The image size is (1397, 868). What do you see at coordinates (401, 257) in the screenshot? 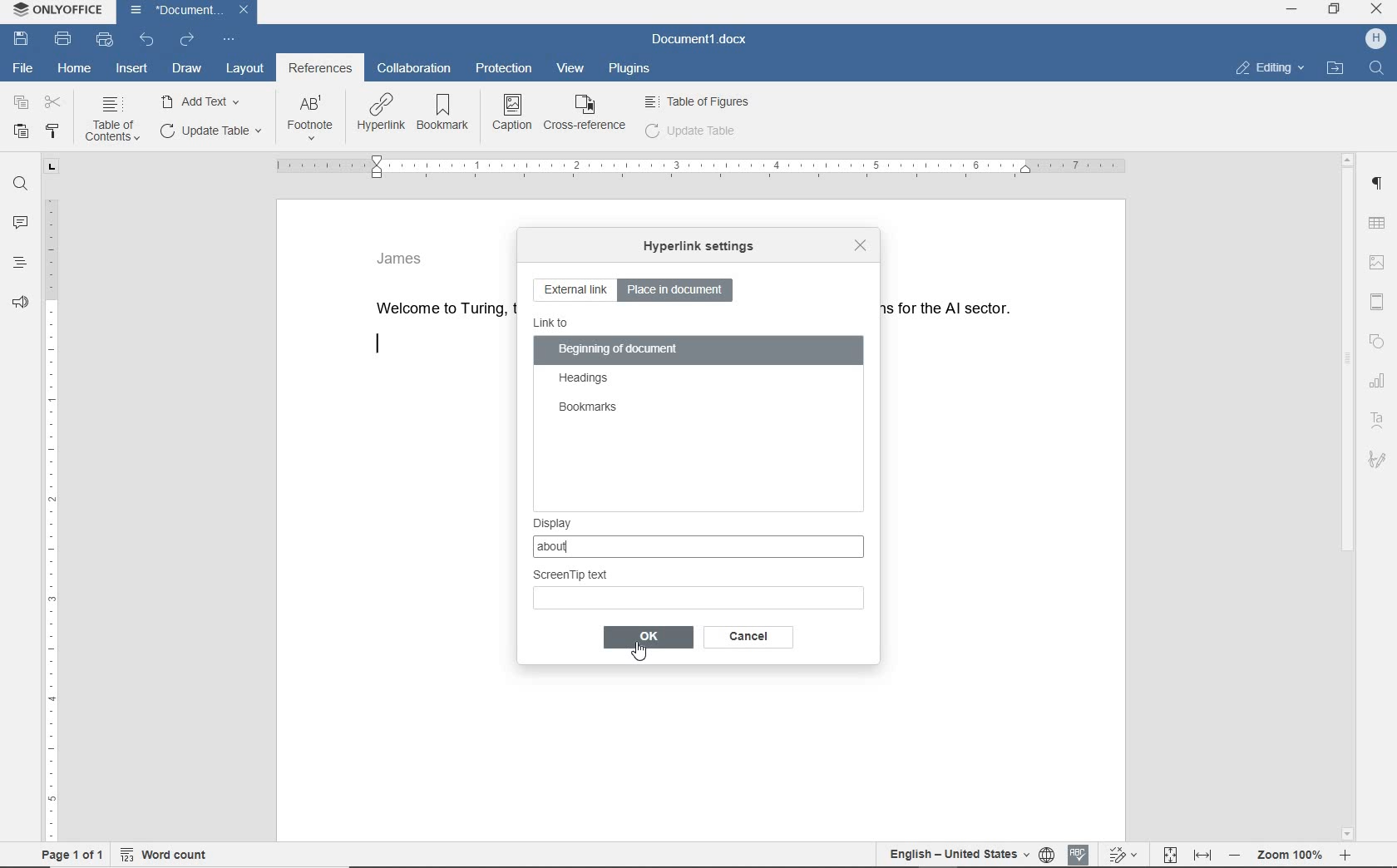
I see `James` at bounding box center [401, 257].